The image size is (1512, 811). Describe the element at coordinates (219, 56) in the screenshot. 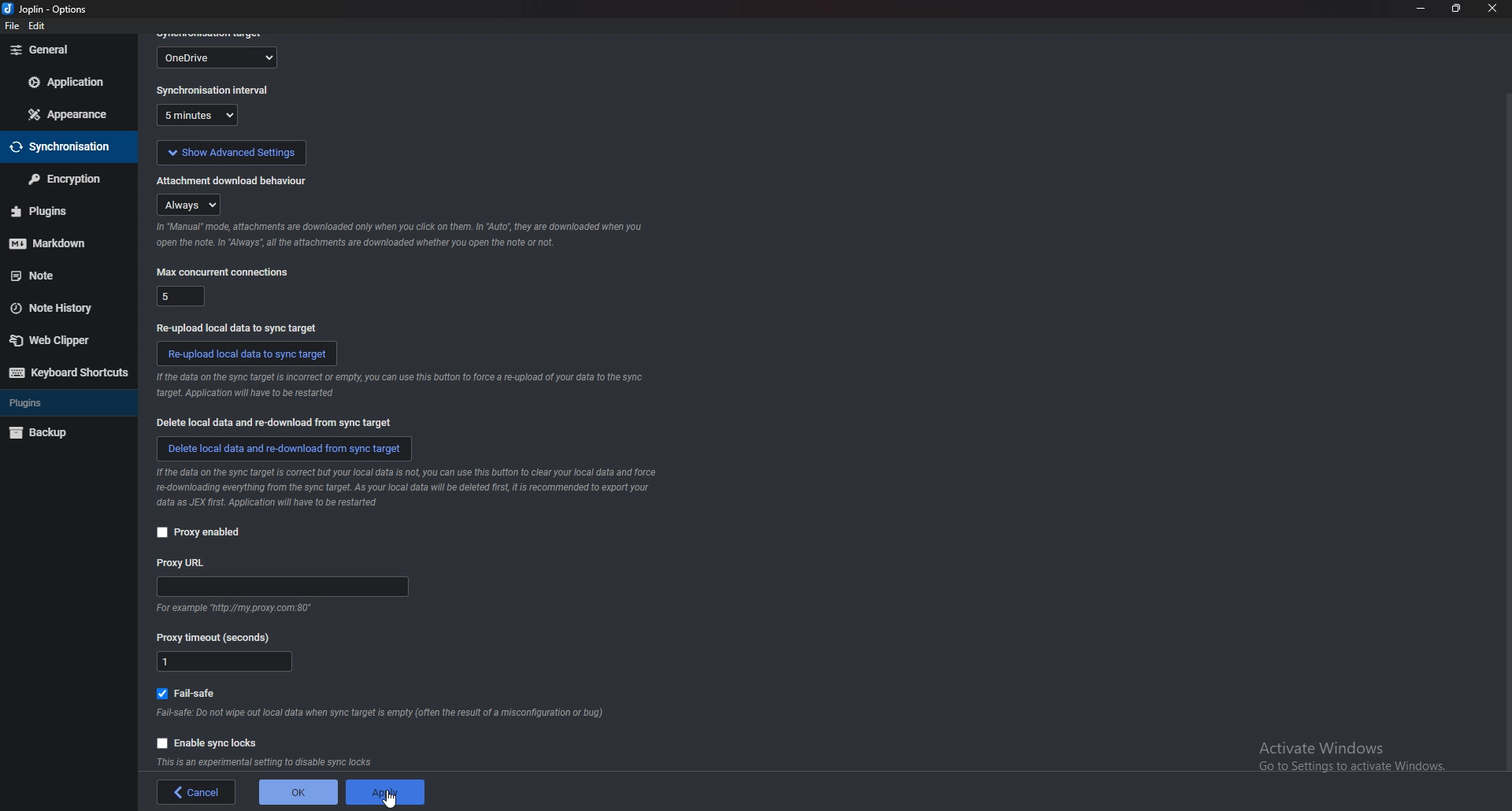

I see `sync target` at that location.